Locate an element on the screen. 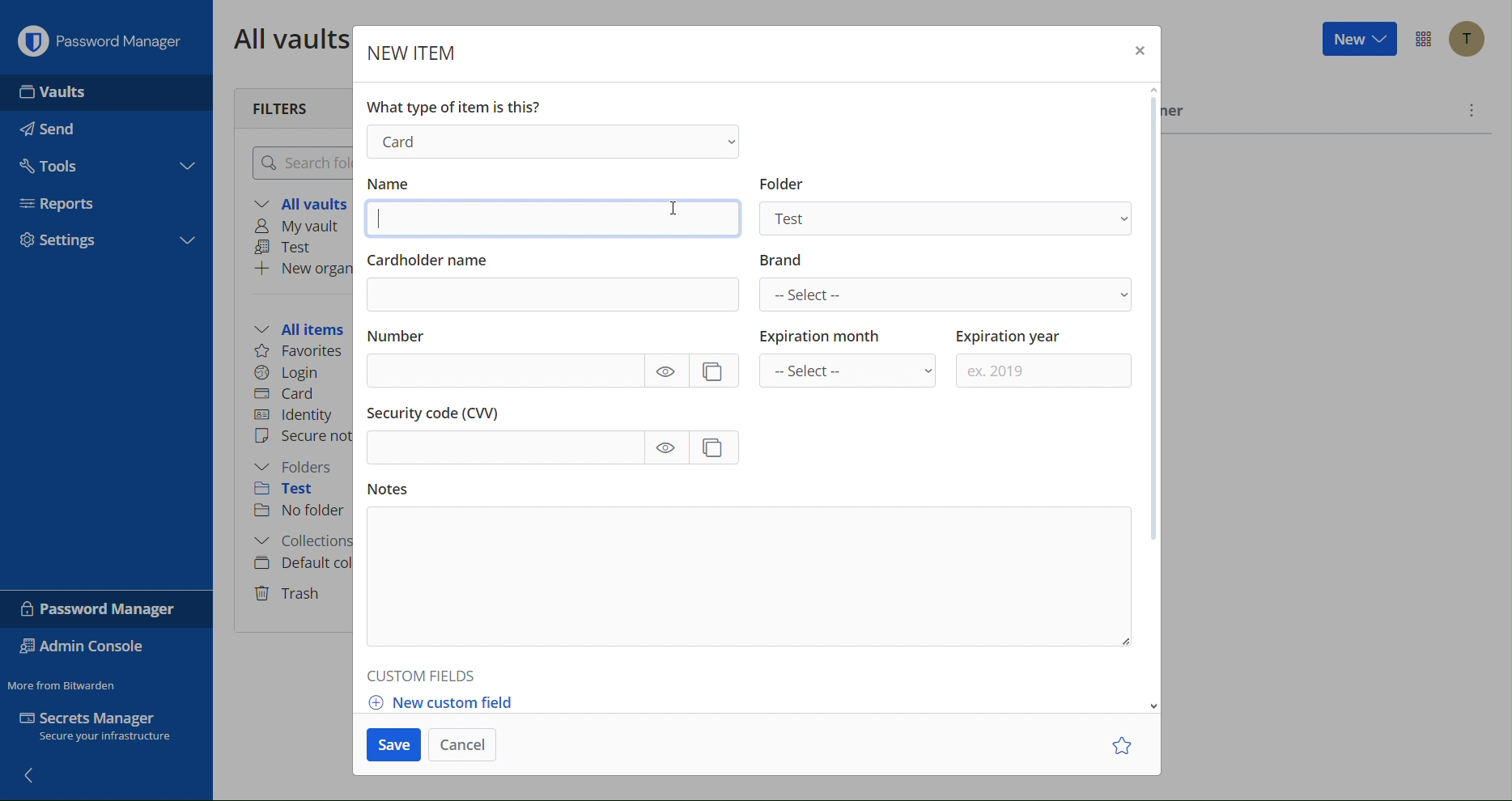 This screenshot has width=1512, height=801. Folders is located at coordinates (297, 468).